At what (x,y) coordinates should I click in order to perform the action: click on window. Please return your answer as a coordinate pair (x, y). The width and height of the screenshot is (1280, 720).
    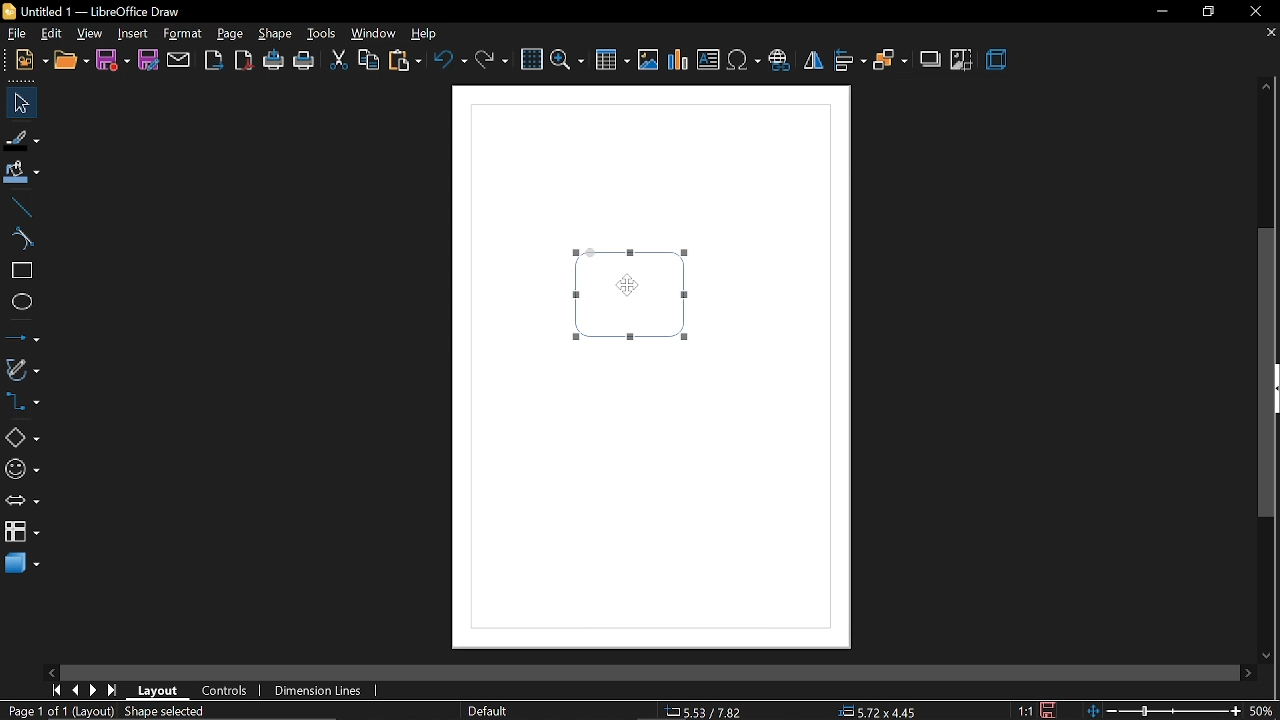
    Looking at the image, I should click on (374, 32).